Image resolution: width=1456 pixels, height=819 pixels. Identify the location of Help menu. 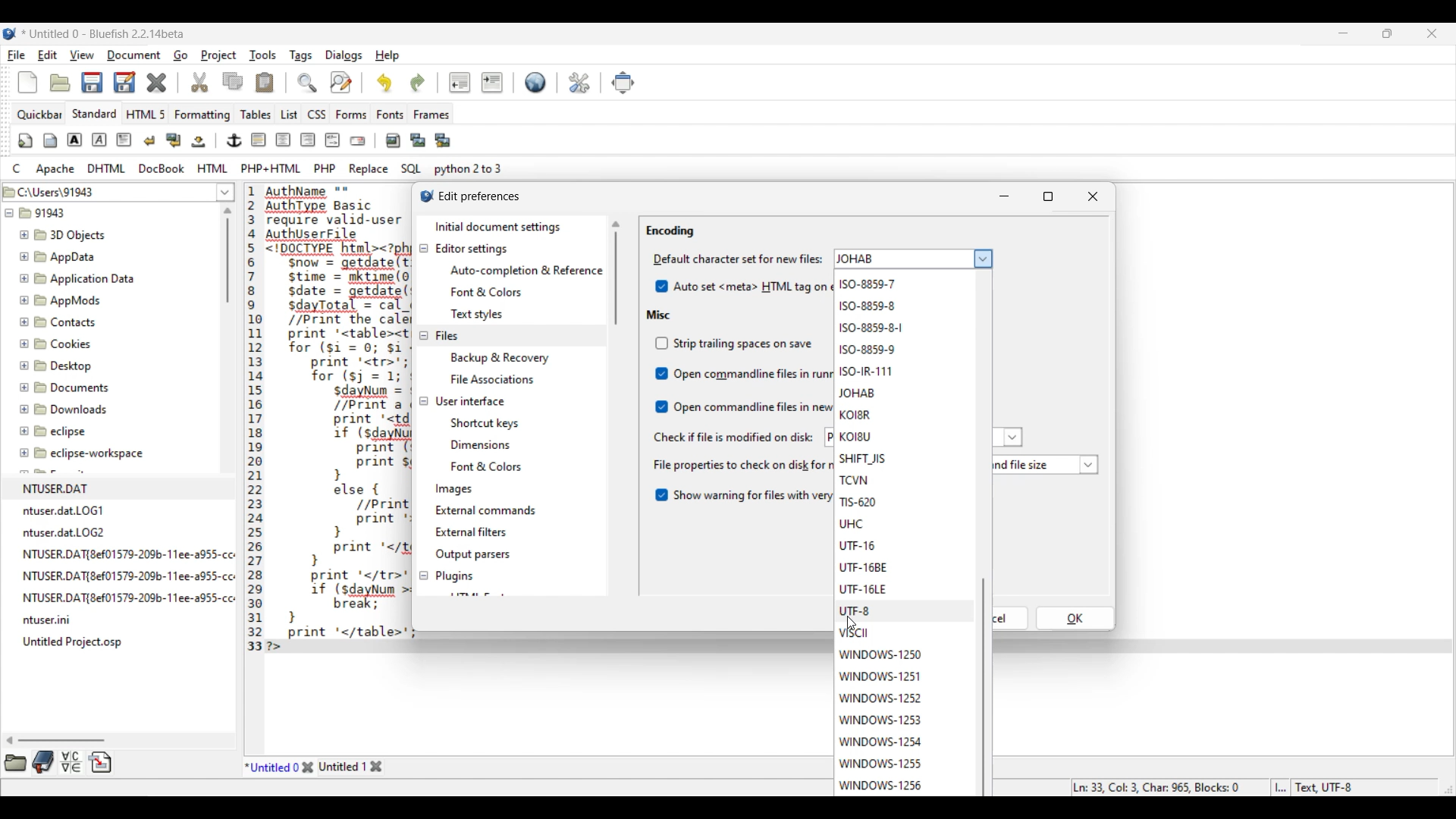
(388, 56).